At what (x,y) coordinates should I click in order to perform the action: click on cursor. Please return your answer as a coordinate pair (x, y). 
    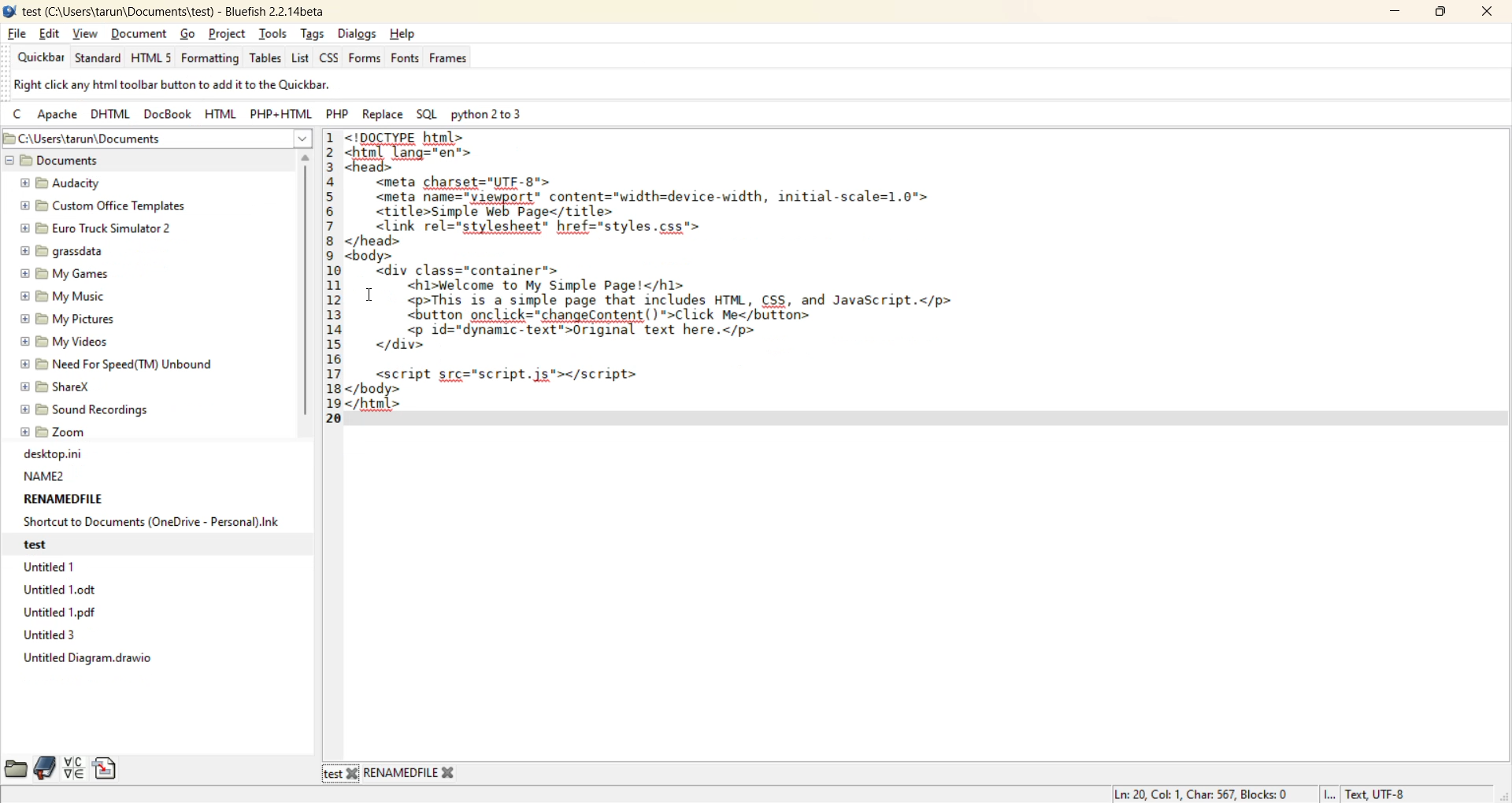
    Looking at the image, I should click on (368, 297).